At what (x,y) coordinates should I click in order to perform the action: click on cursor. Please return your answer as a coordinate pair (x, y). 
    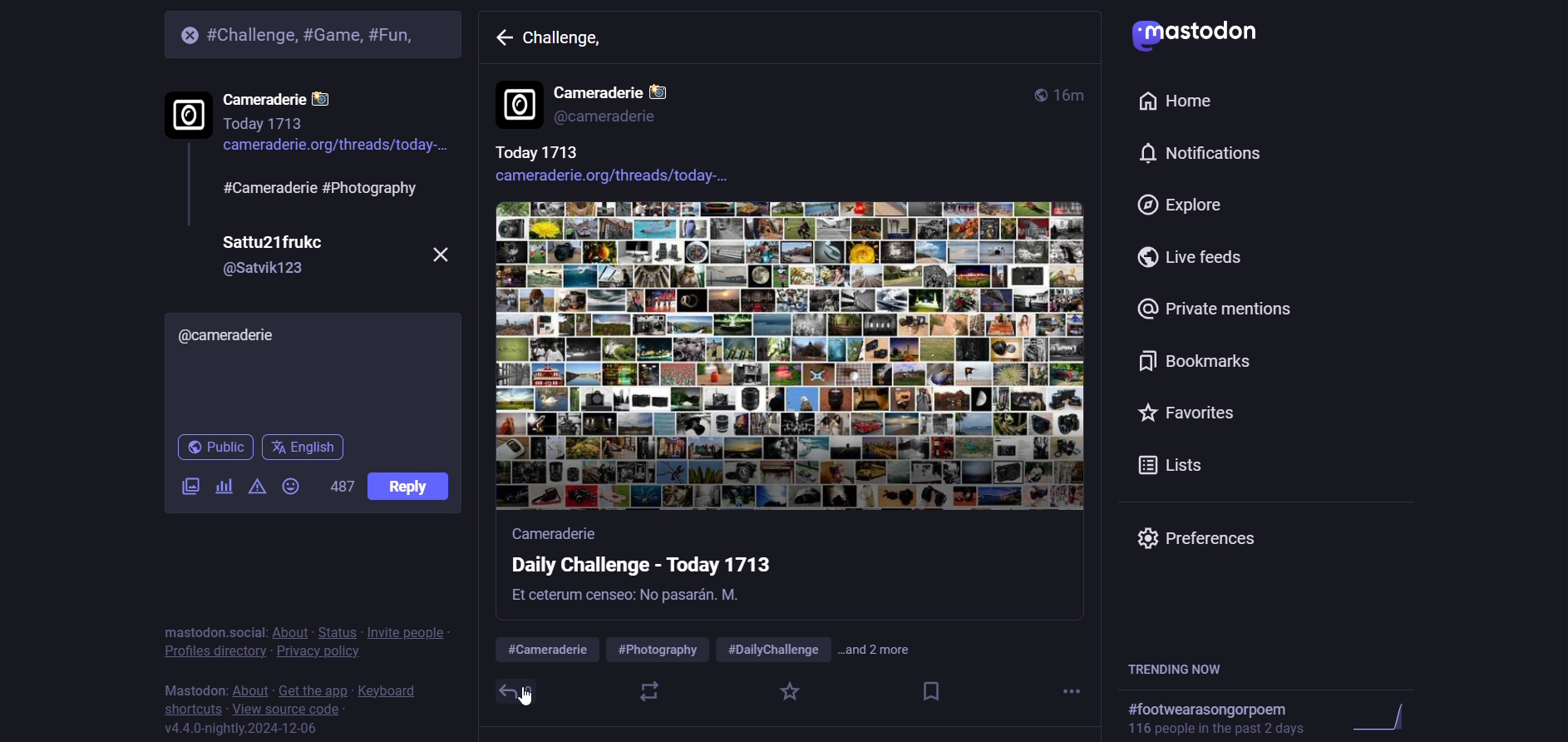
    Looking at the image, I should click on (522, 696).